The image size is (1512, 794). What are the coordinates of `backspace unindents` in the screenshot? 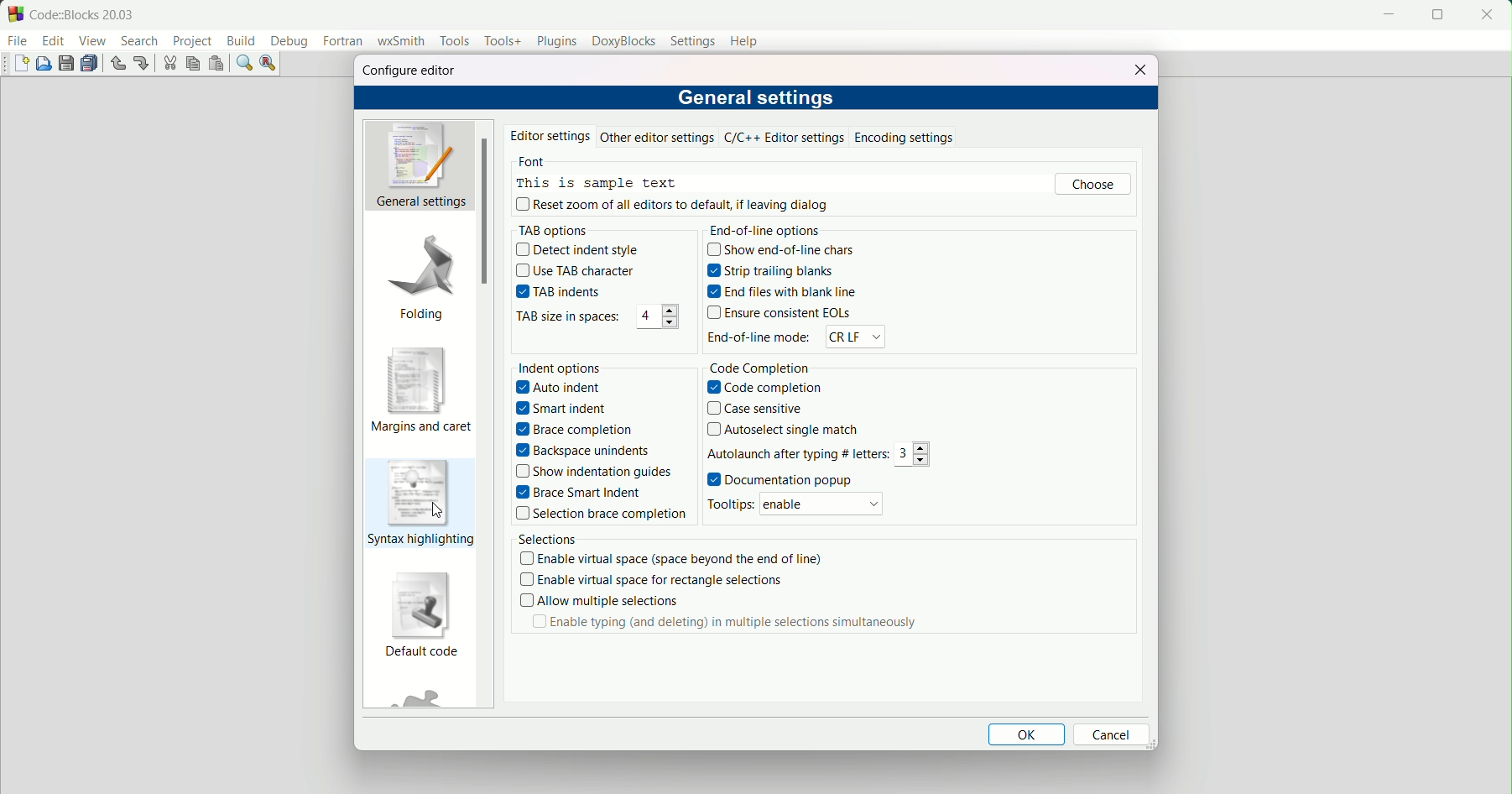 It's located at (584, 450).